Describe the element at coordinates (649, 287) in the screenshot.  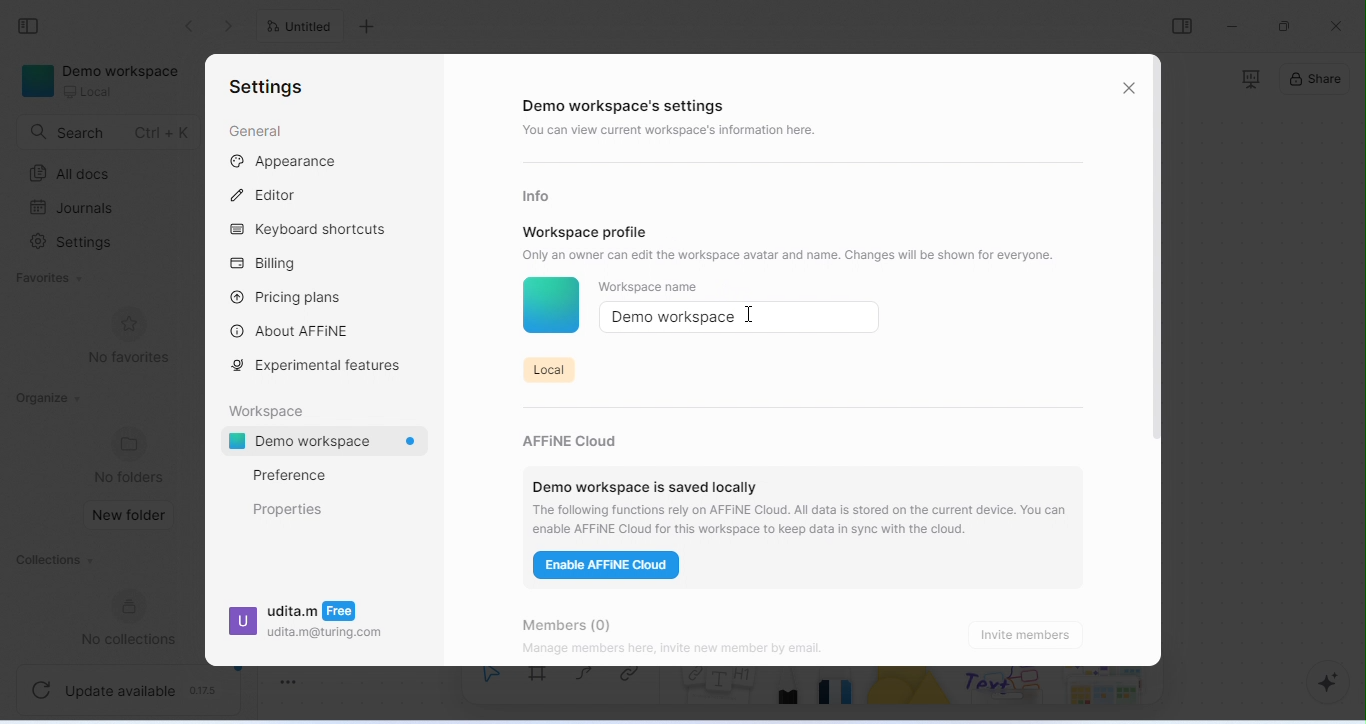
I see `workspace name` at that location.